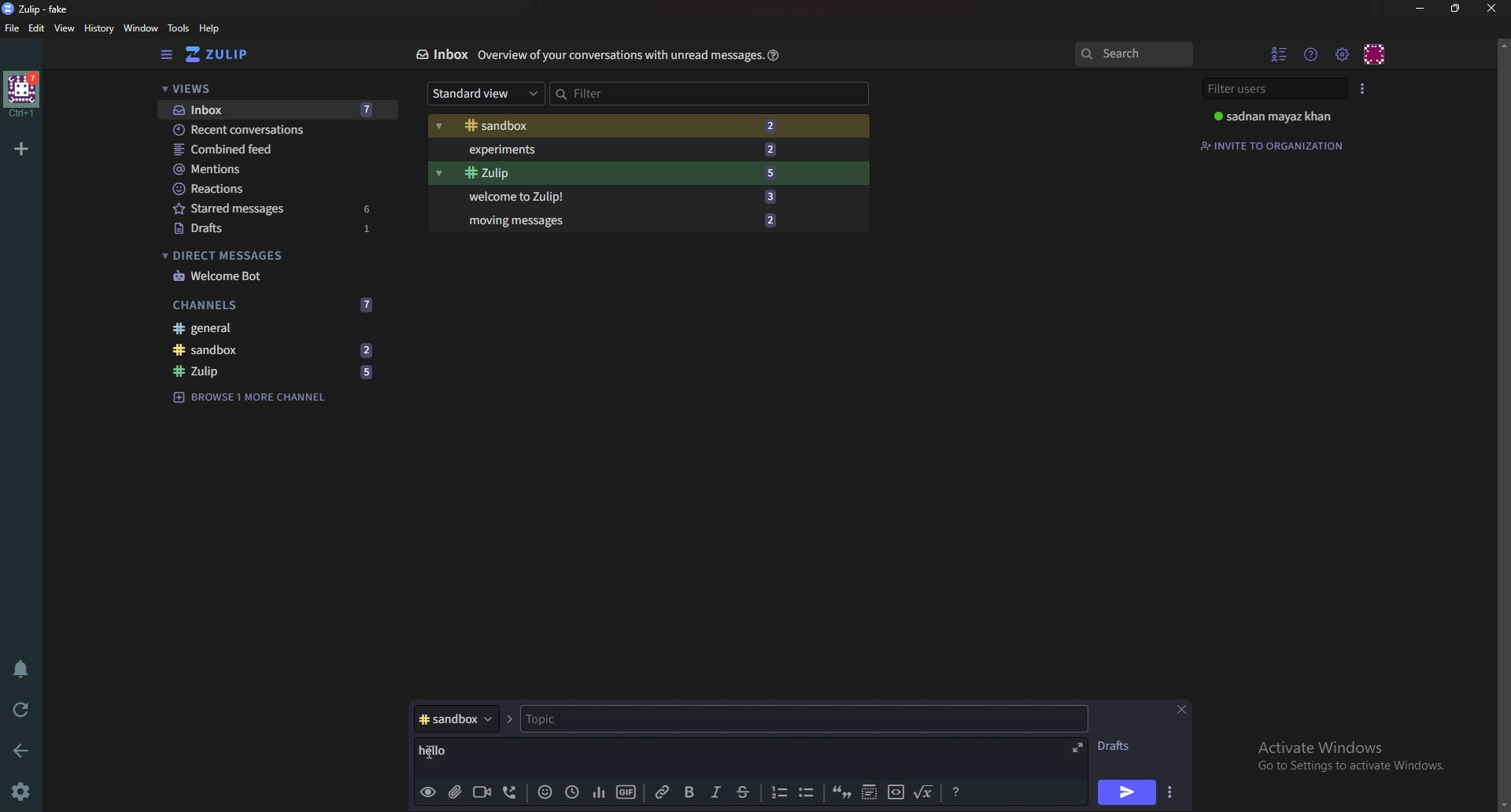 The width and height of the screenshot is (1511, 812). Describe the element at coordinates (275, 88) in the screenshot. I see `views` at that location.